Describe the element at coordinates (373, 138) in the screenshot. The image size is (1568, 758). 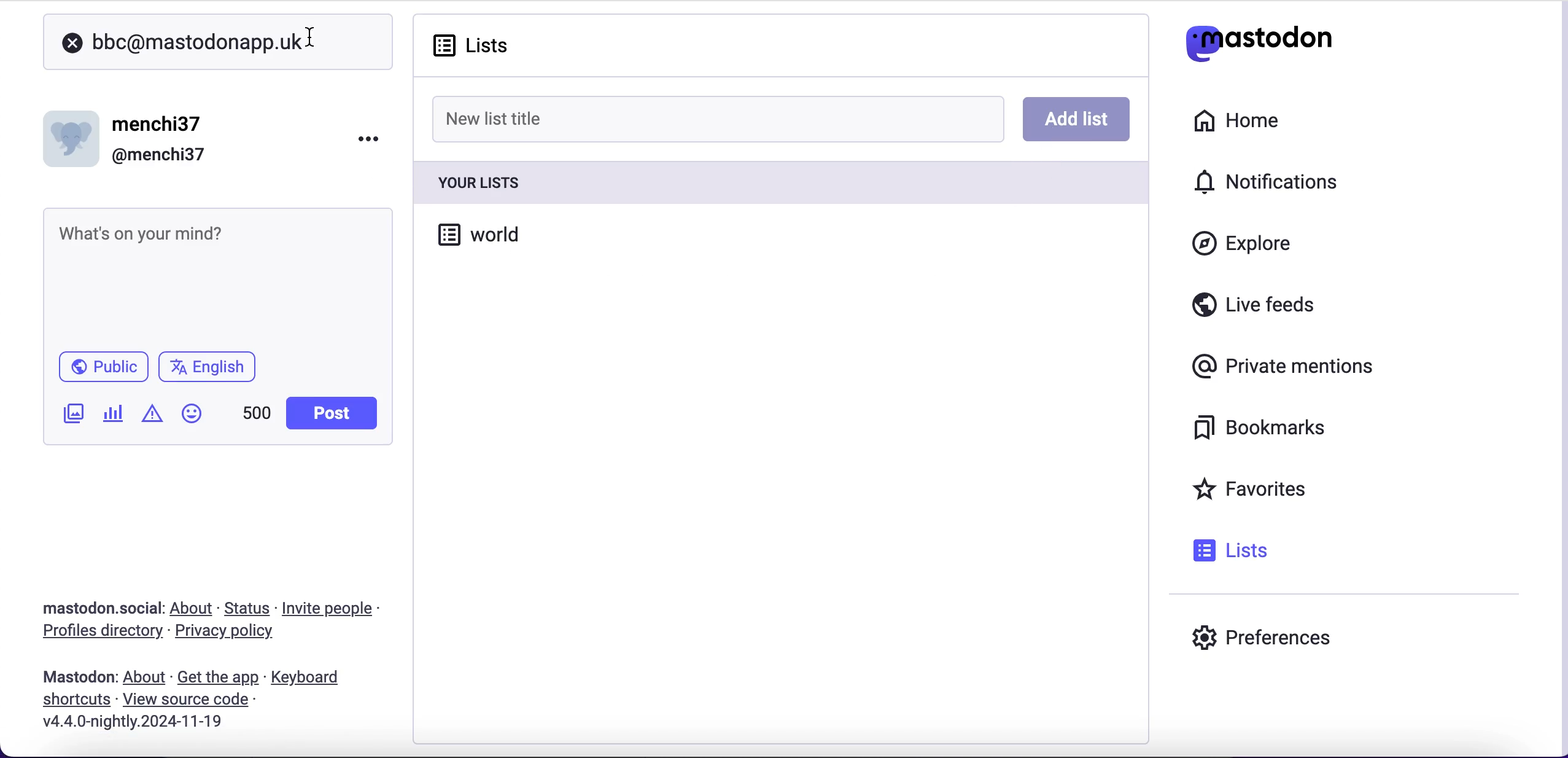
I see `menu options` at that location.